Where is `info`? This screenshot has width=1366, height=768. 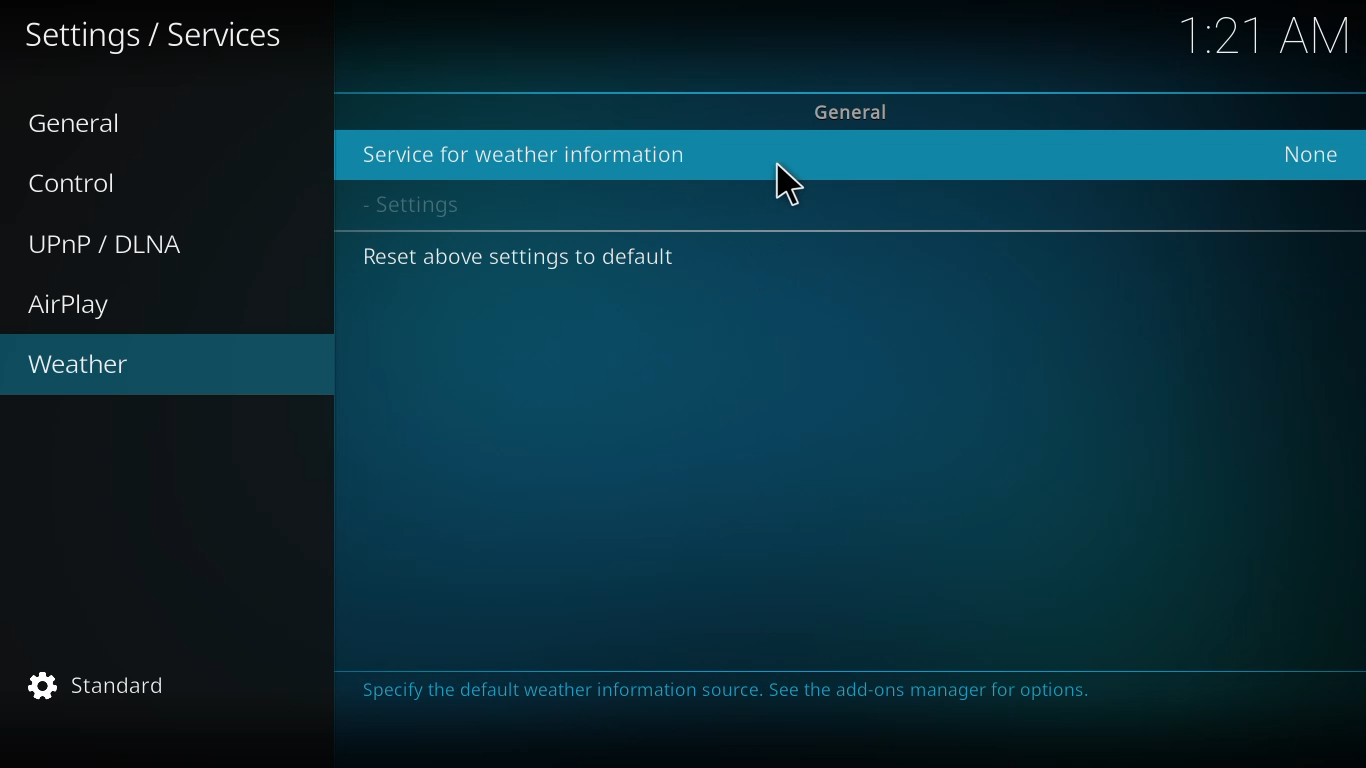 info is located at coordinates (731, 693).